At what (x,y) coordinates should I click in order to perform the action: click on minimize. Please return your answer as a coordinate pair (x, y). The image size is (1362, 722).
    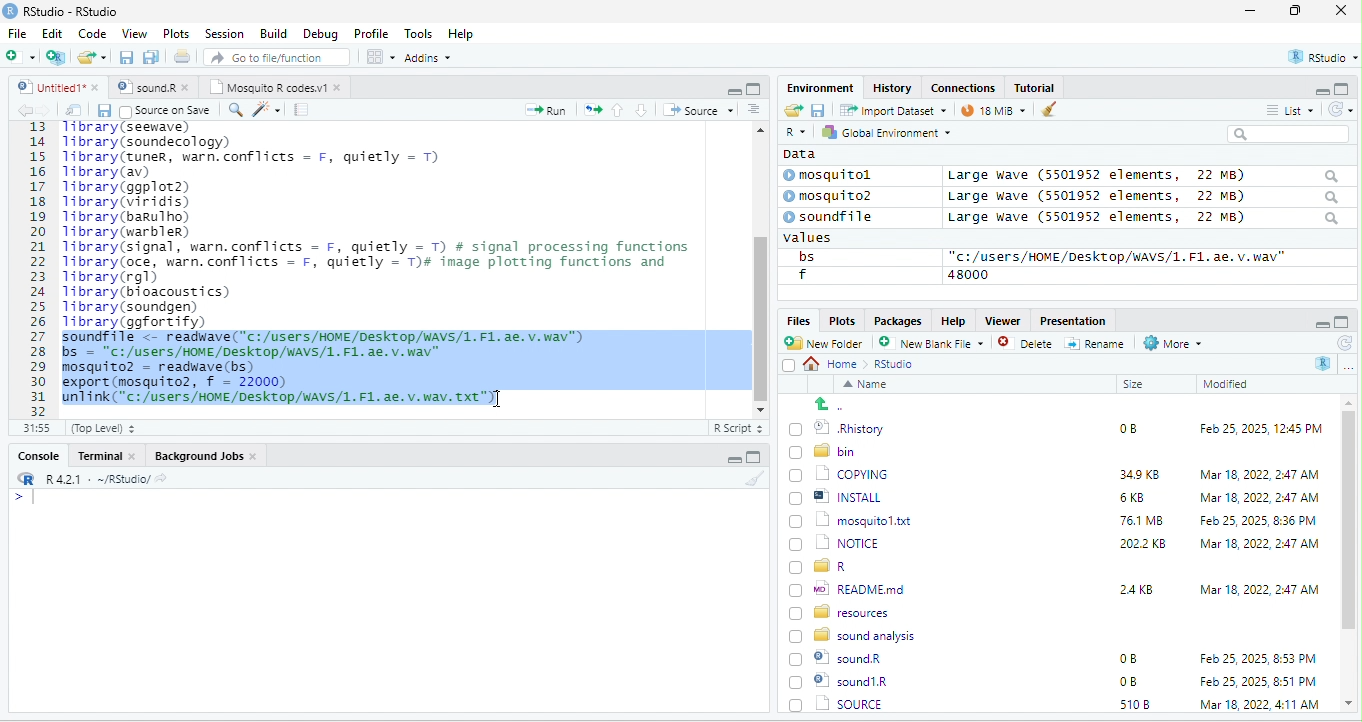
    Looking at the image, I should click on (1250, 12).